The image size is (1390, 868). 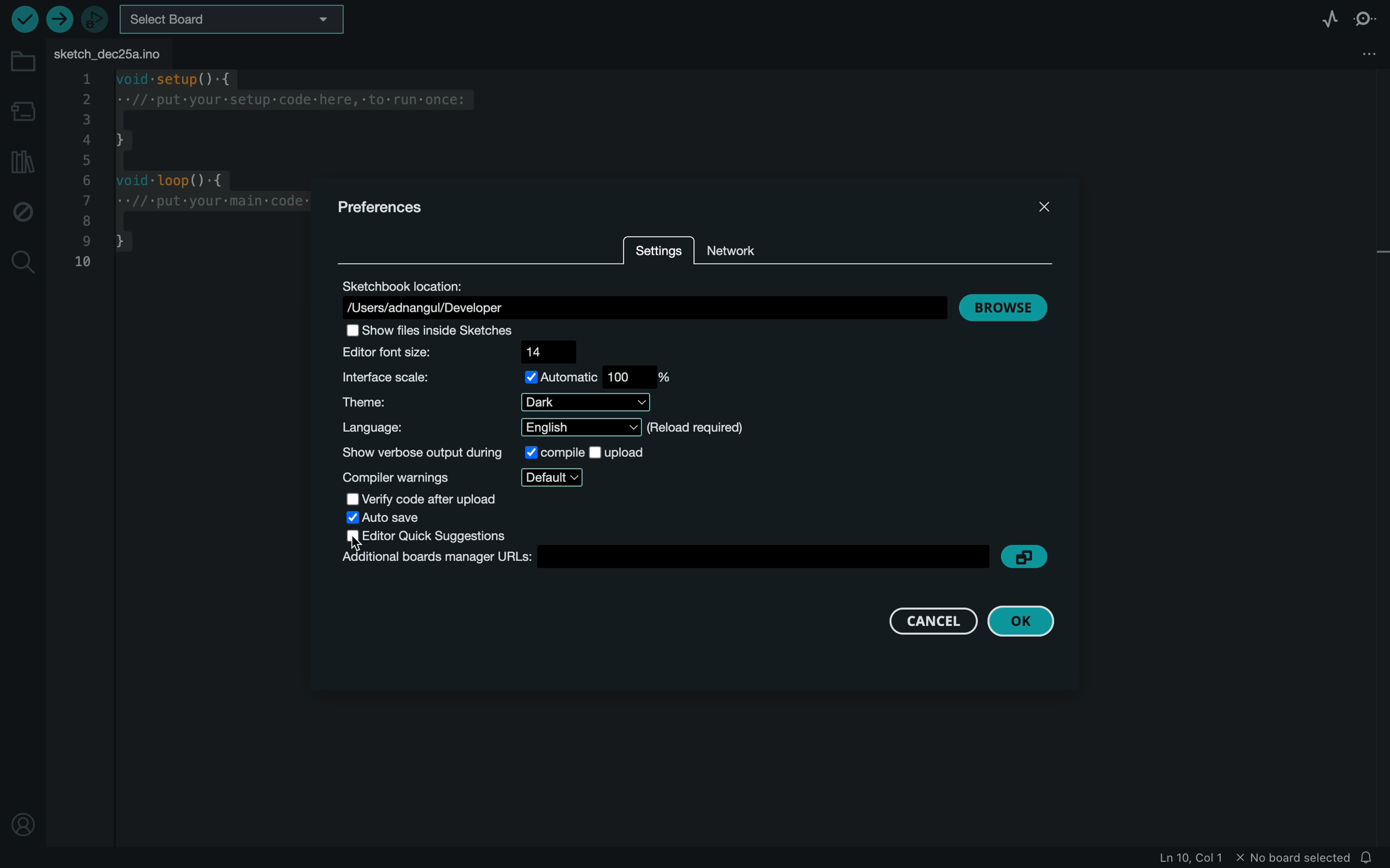 I want to click on settings, so click(x=658, y=253).